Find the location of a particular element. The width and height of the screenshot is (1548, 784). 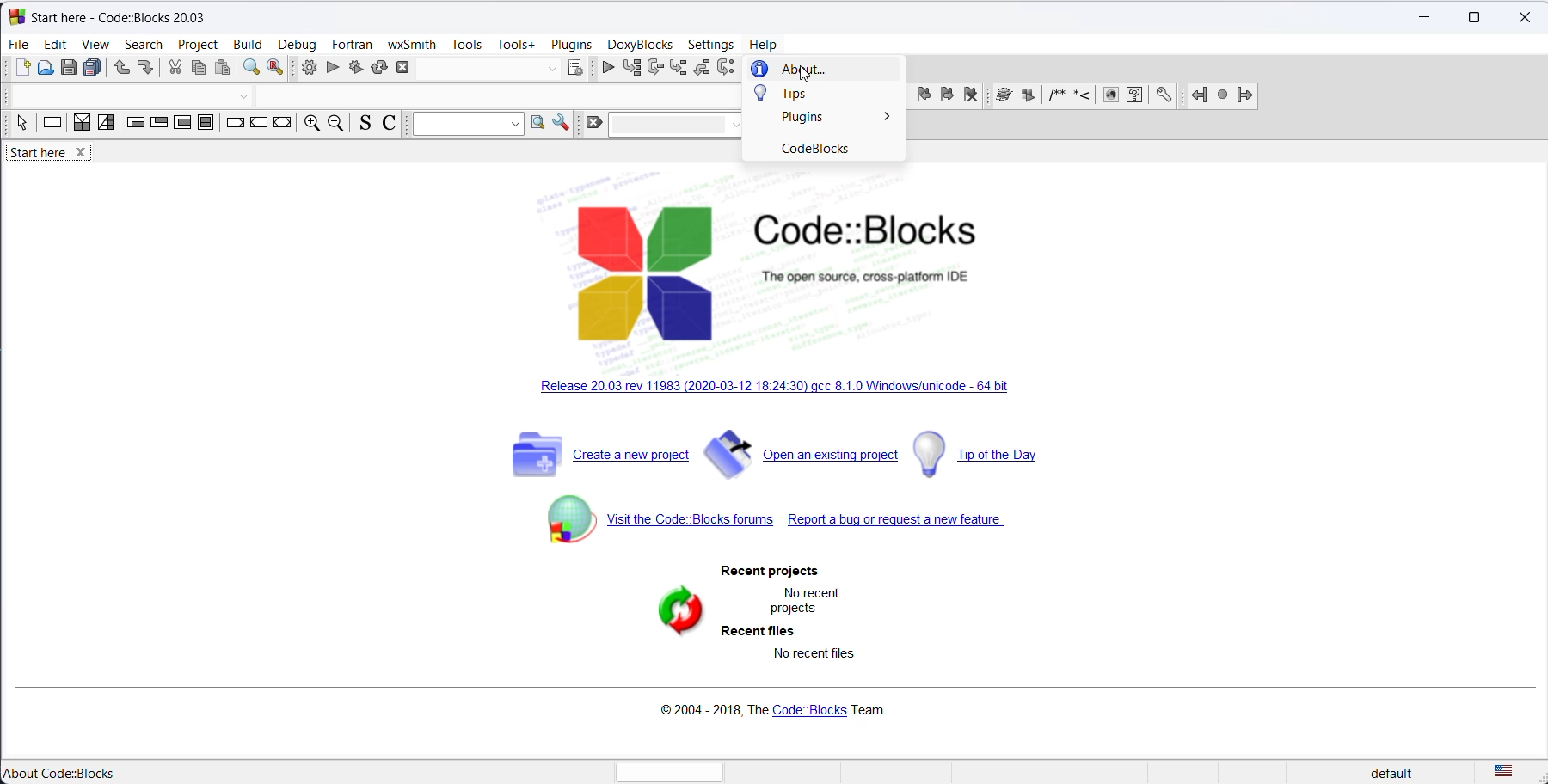

continue instruction is located at coordinates (261, 126).